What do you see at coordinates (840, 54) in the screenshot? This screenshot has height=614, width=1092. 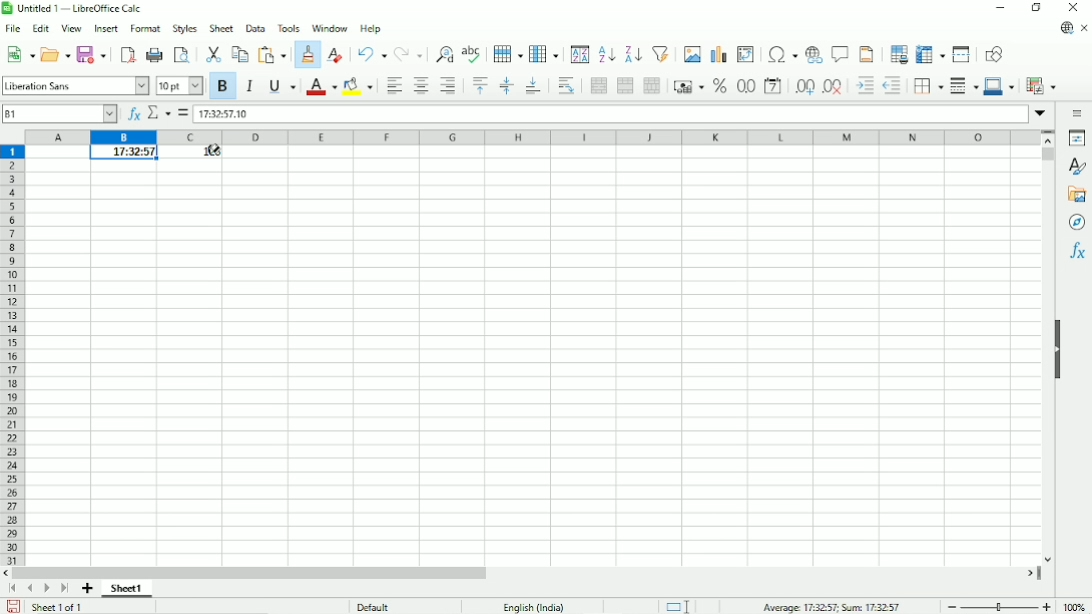 I see `Insert comment` at bounding box center [840, 54].